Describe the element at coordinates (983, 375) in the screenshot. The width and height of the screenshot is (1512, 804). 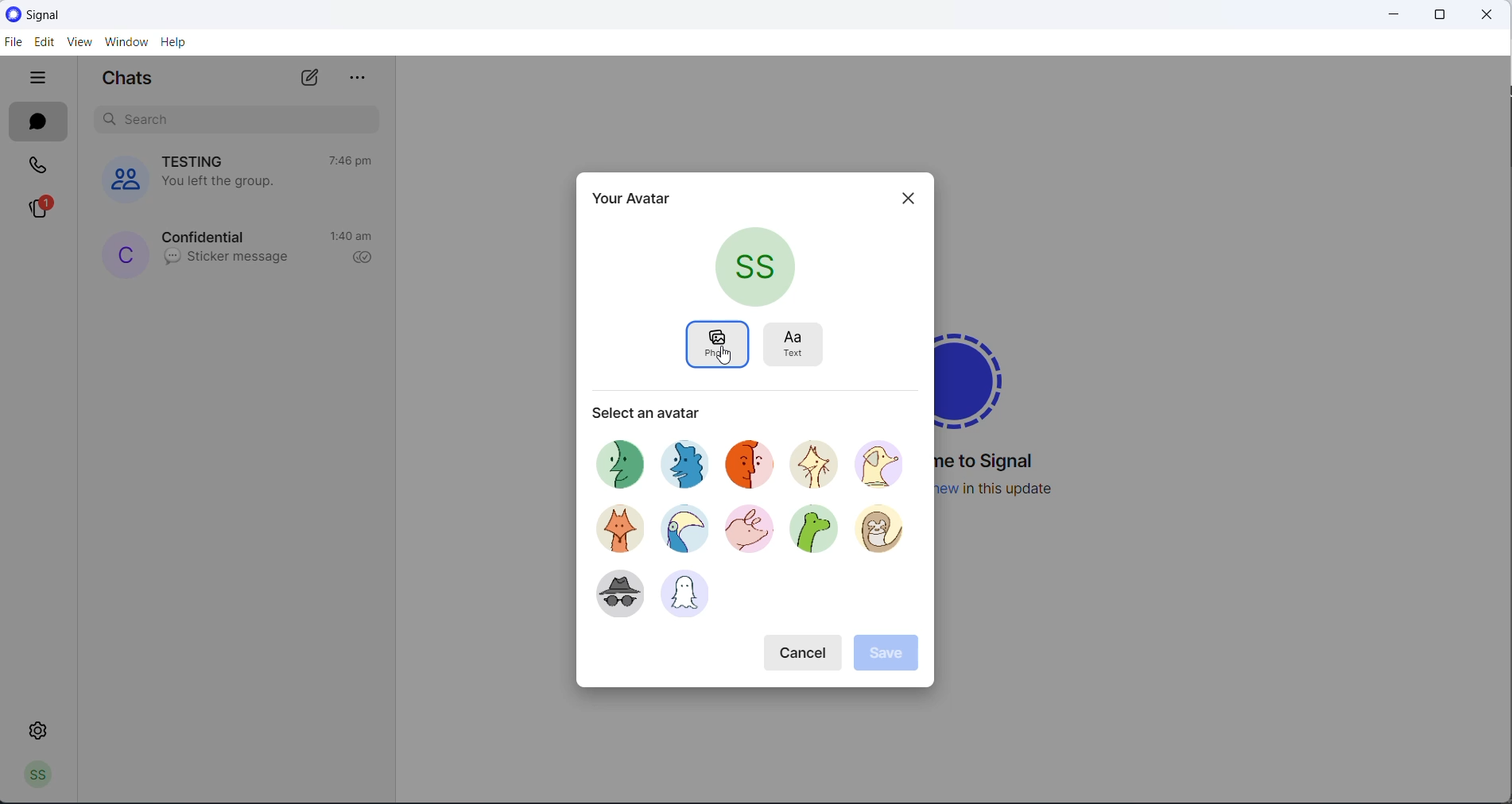
I see `signal logo` at that location.